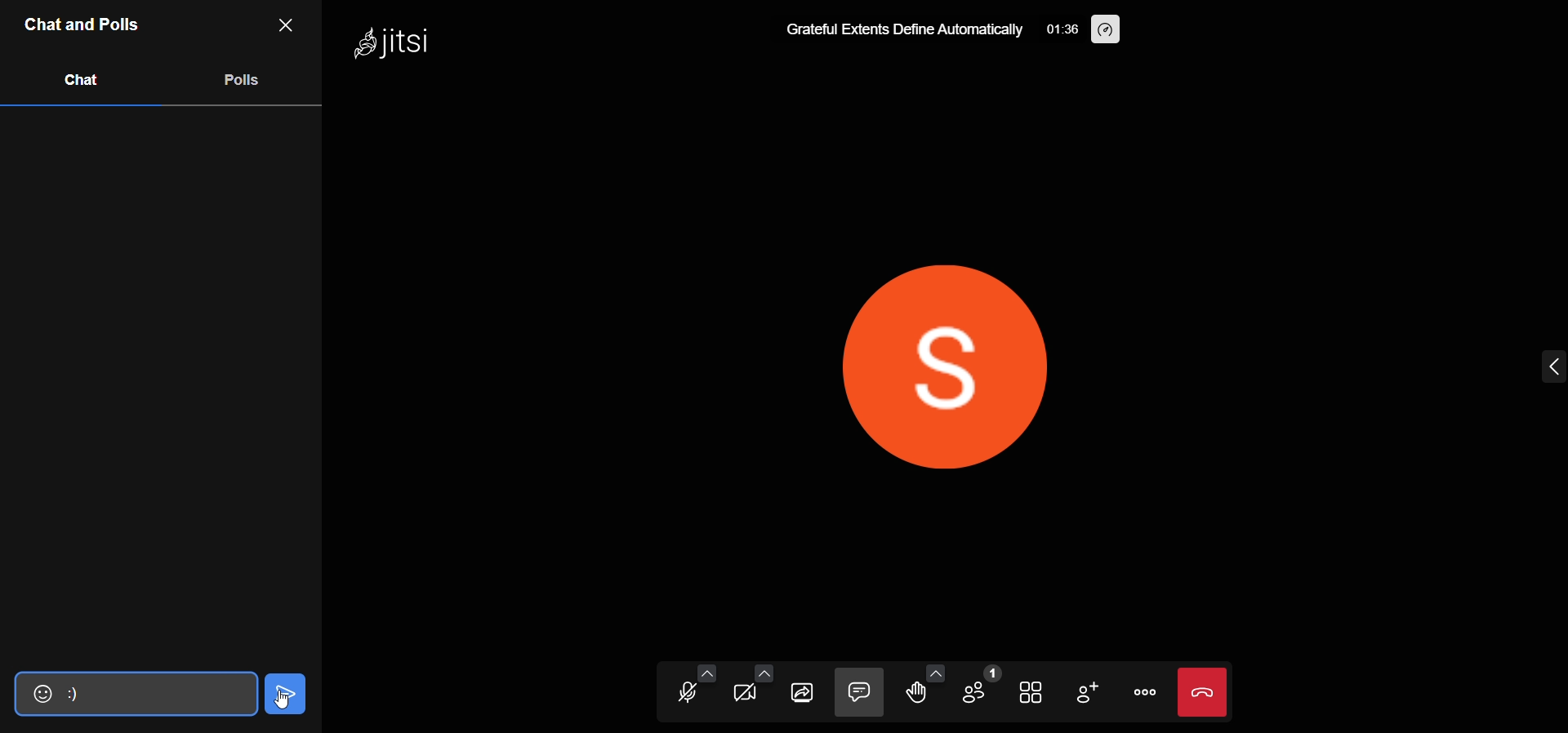 The width and height of the screenshot is (1568, 733). Describe the element at coordinates (78, 81) in the screenshot. I see `chat` at that location.